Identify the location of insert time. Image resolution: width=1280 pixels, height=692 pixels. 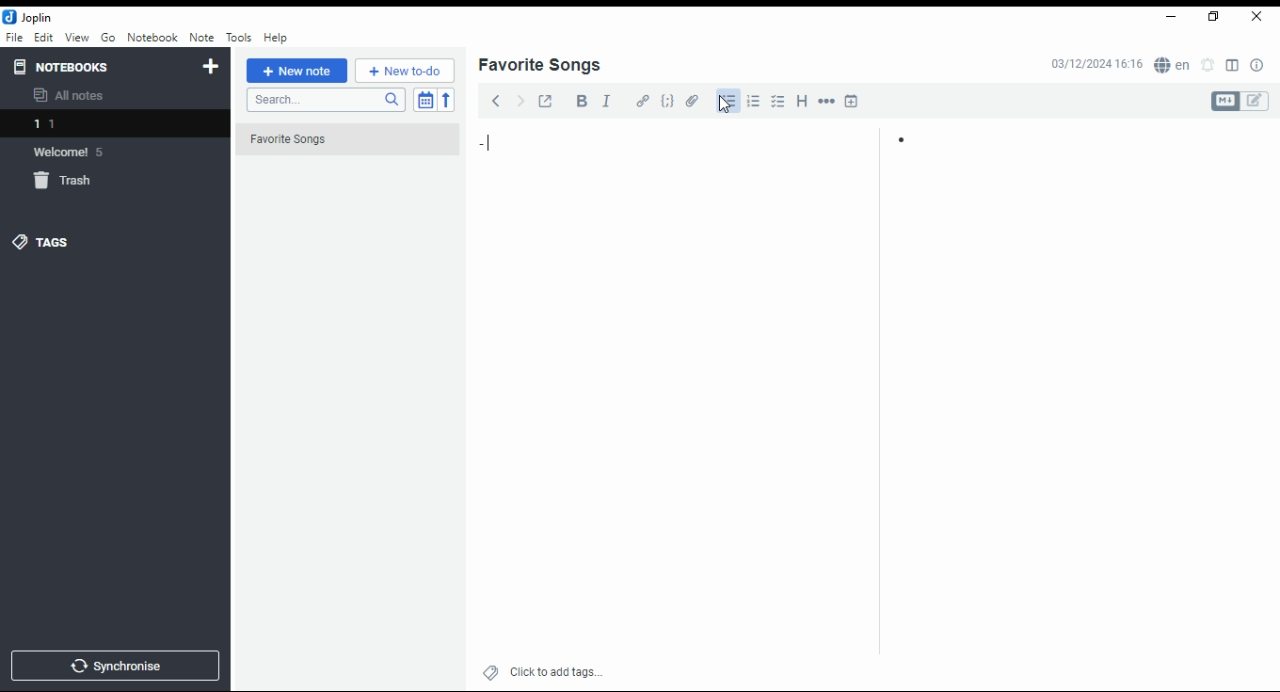
(852, 100).